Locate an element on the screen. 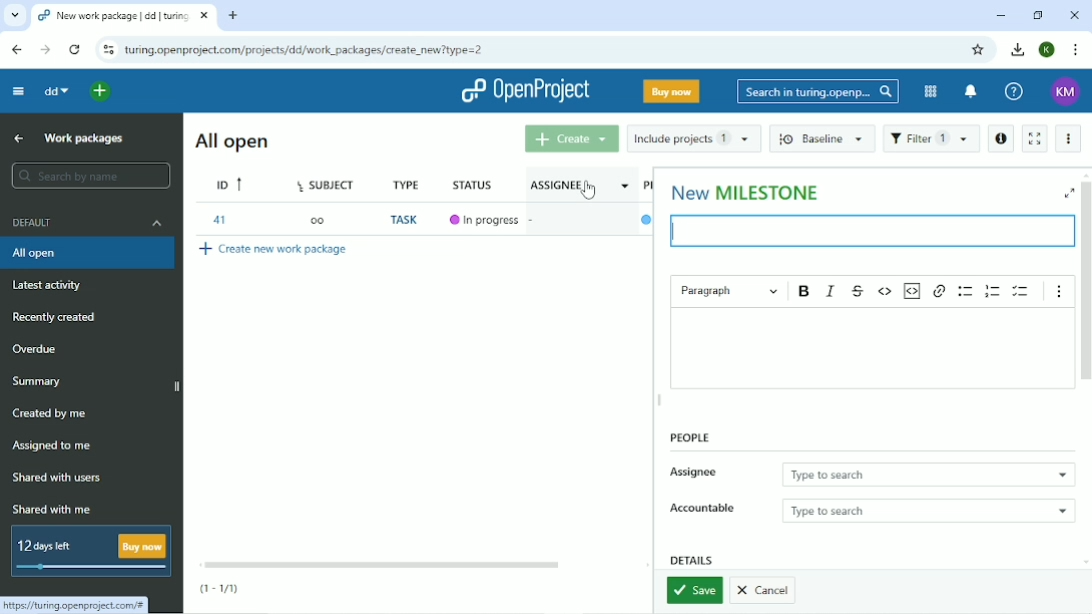  Activate zen mode is located at coordinates (1034, 139).